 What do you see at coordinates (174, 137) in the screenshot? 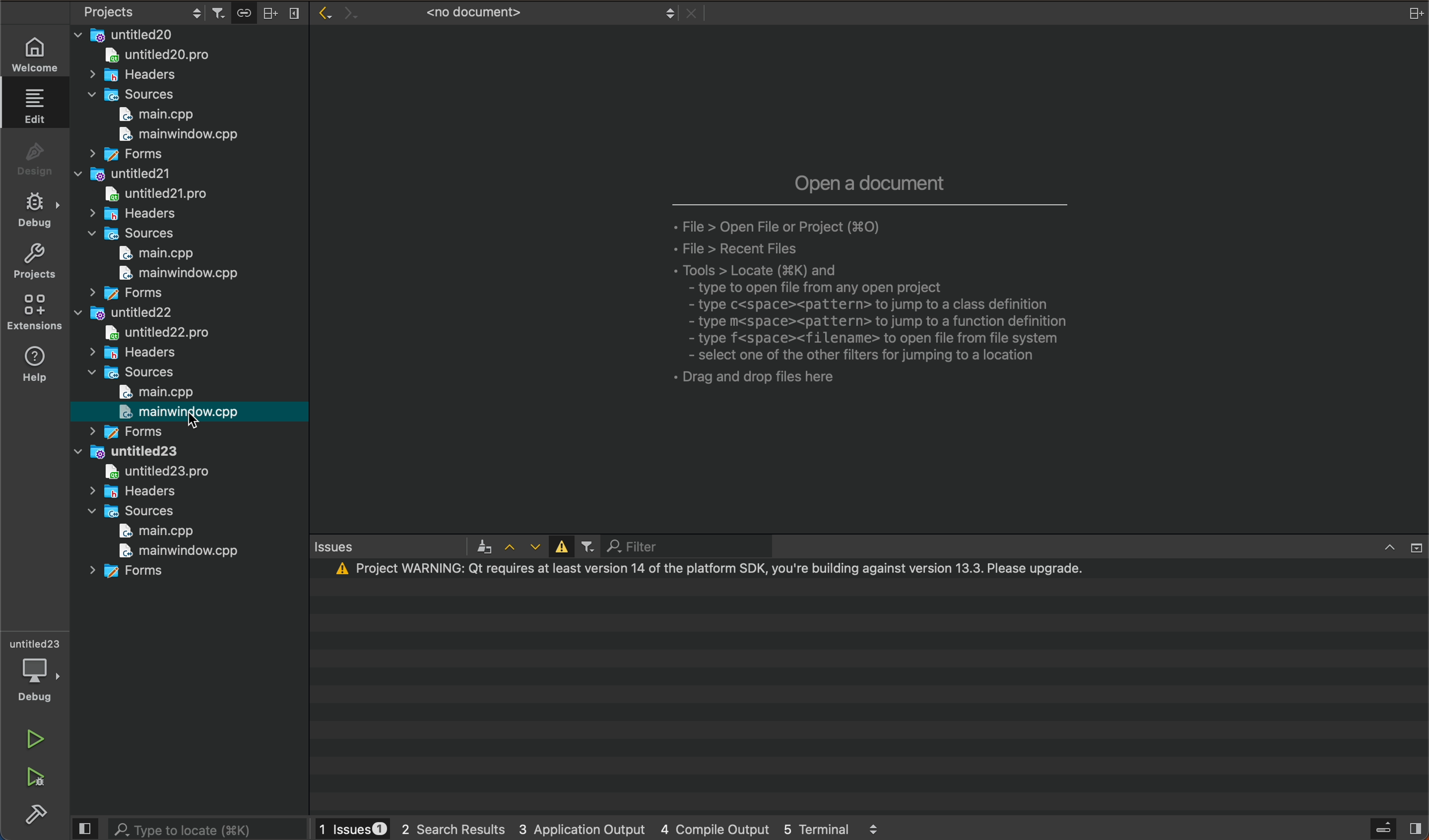
I see `mainwindow.cpp` at bounding box center [174, 137].